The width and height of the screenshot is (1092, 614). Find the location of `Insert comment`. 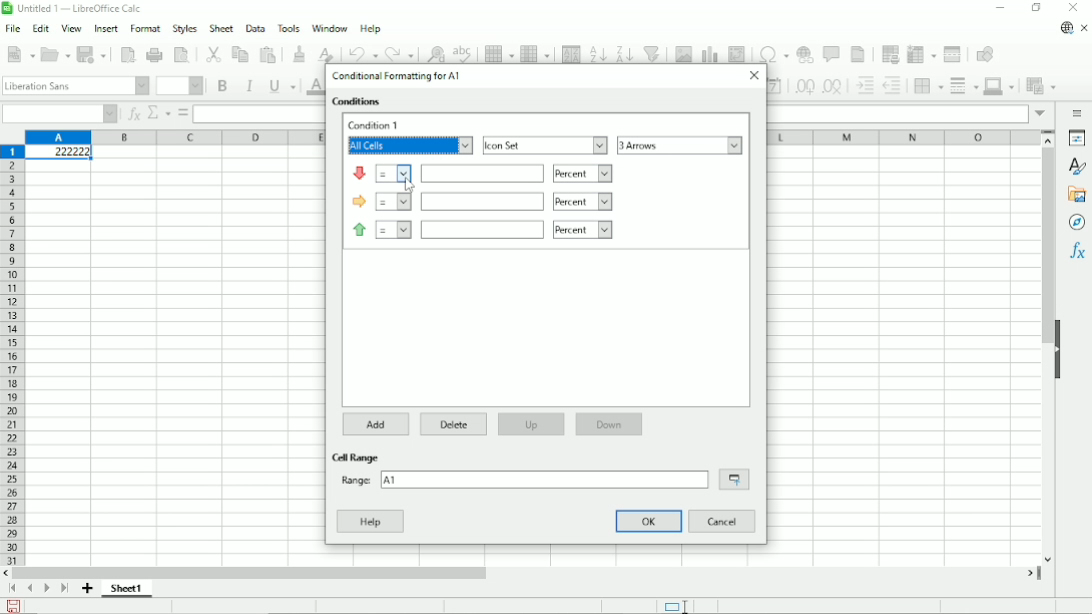

Insert comment is located at coordinates (832, 55).